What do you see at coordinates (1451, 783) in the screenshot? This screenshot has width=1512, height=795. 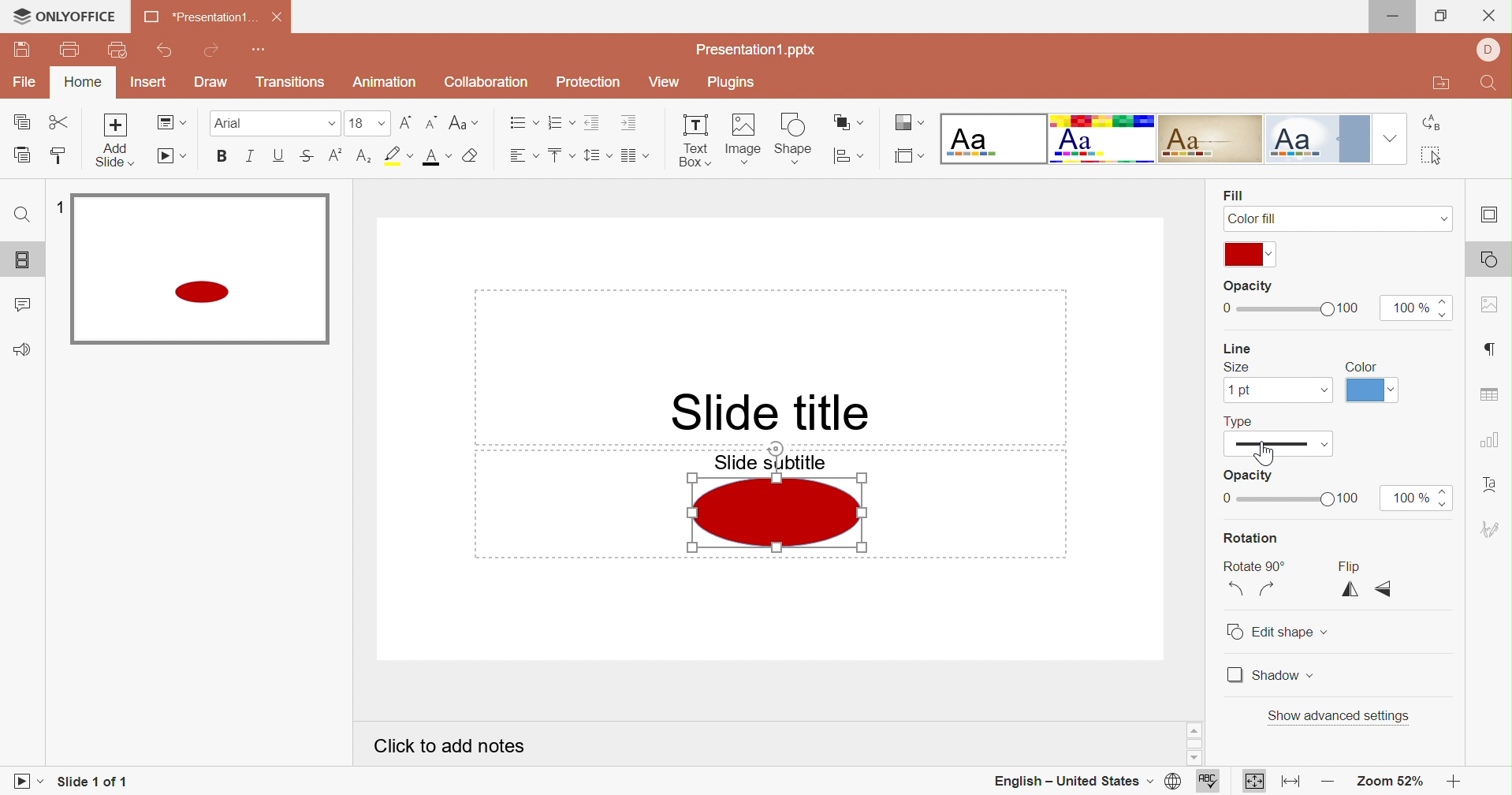 I see `Zoom in` at bounding box center [1451, 783].